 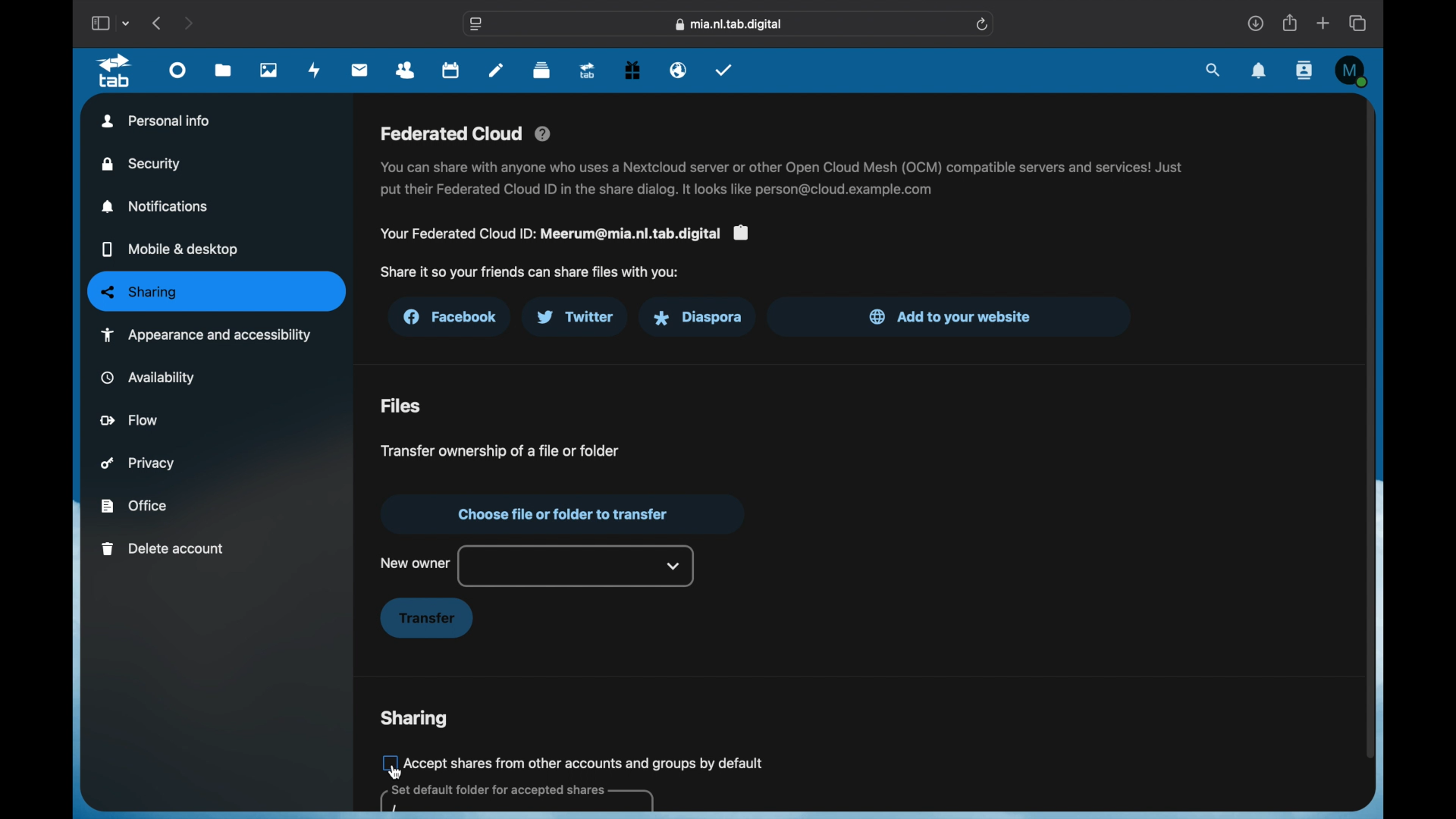 I want to click on twitter, so click(x=575, y=317).